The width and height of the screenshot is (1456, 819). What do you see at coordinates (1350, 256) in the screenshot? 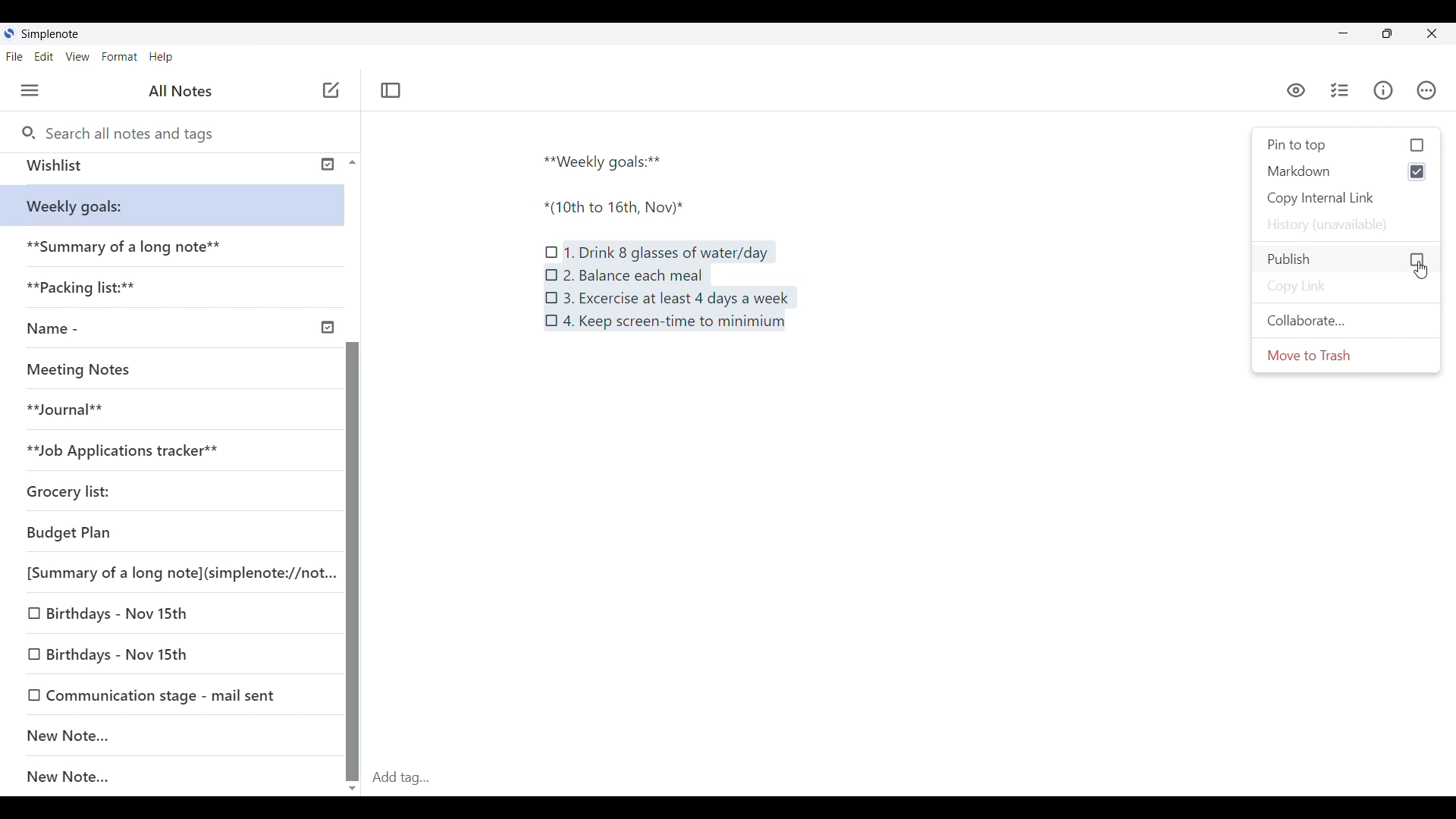
I see `Publish` at bounding box center [1350, 256].